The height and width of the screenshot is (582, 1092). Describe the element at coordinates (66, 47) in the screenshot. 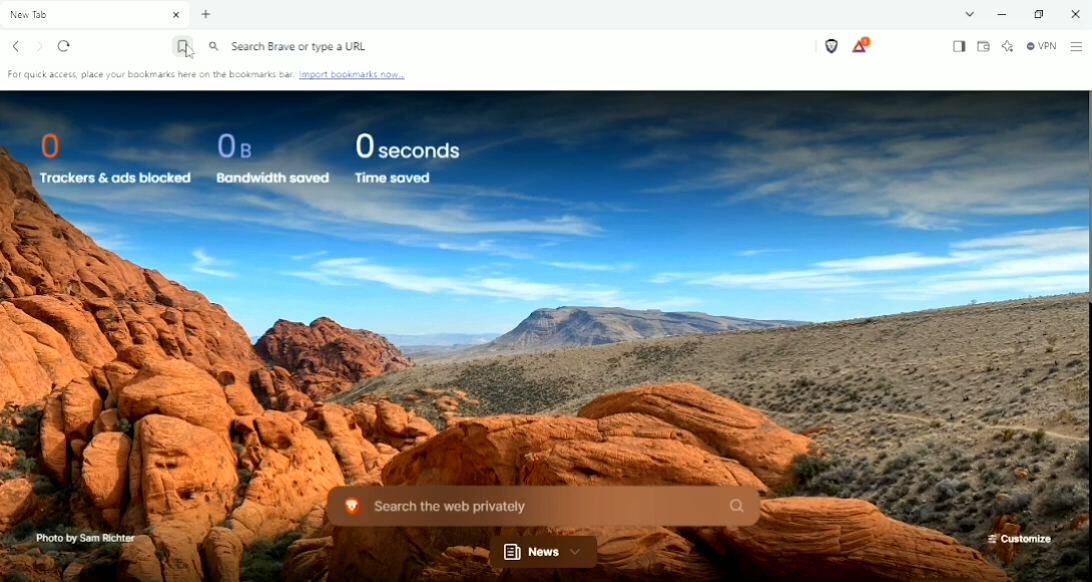

I see `Reload this page` at that location.